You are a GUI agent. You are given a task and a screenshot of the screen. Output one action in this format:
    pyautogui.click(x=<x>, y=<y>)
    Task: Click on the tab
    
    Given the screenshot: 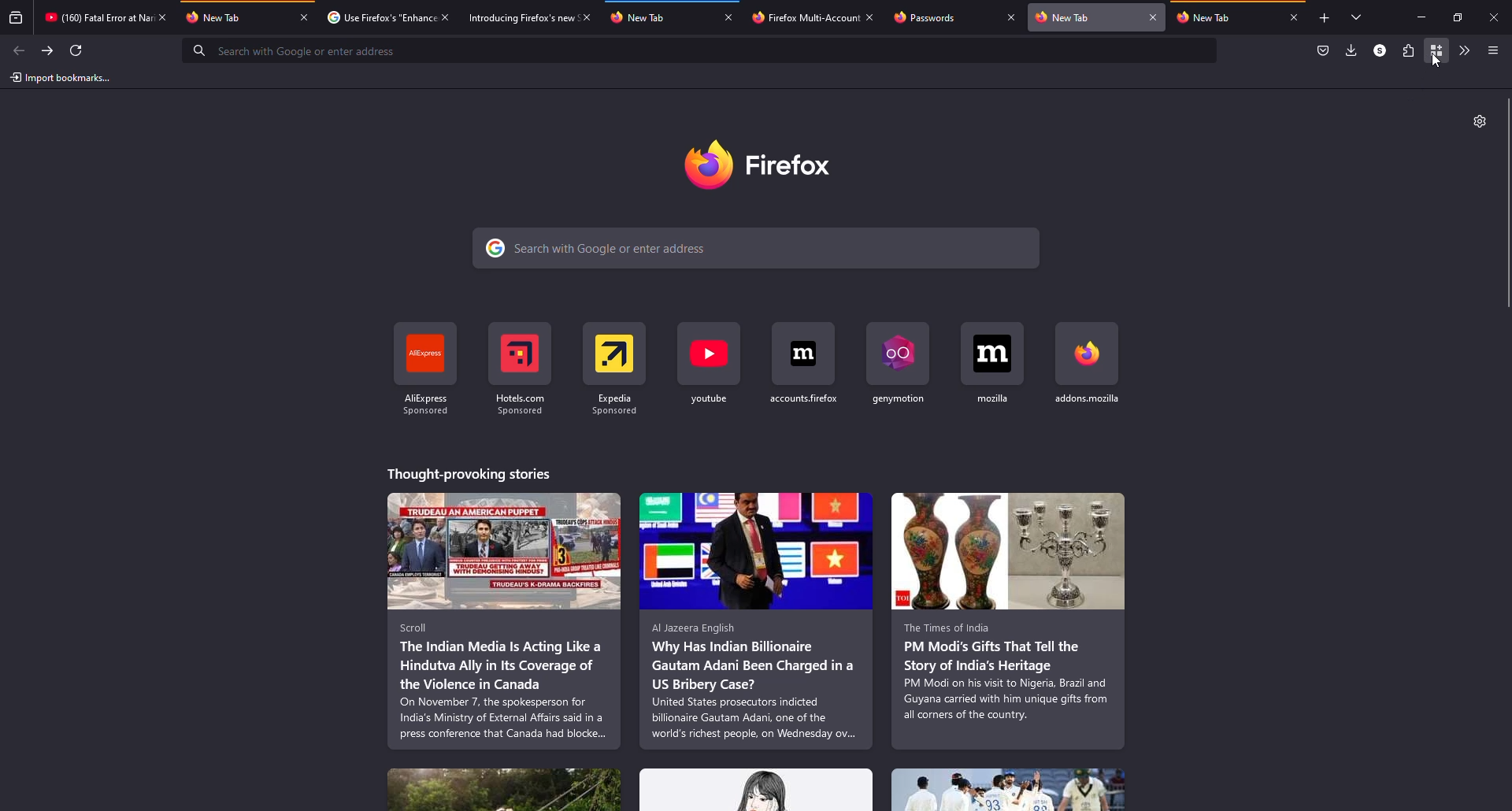 What is the action you would take?
    pyautogui.click(x=1085, y=17)
    